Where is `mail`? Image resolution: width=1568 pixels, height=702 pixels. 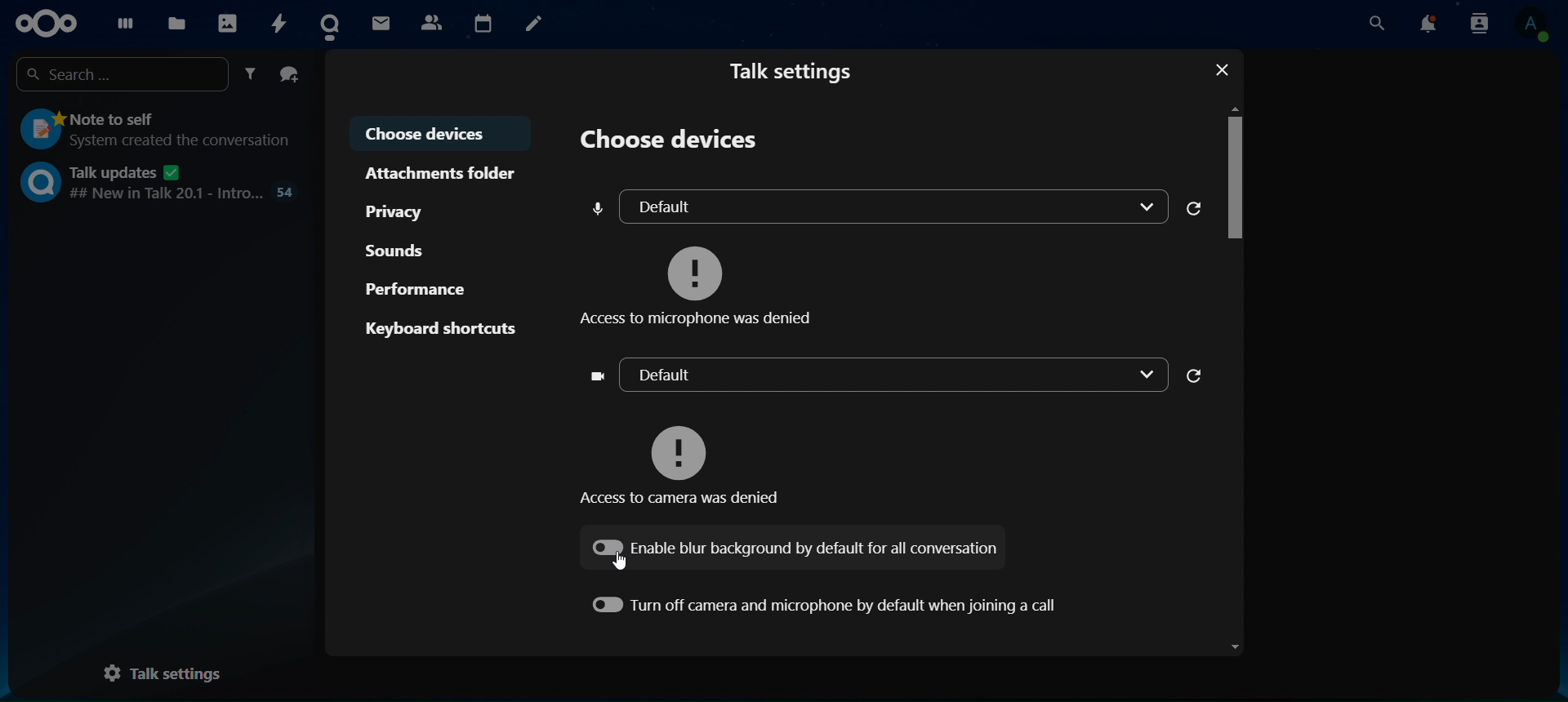 mail is located at coordinates (379, 21).